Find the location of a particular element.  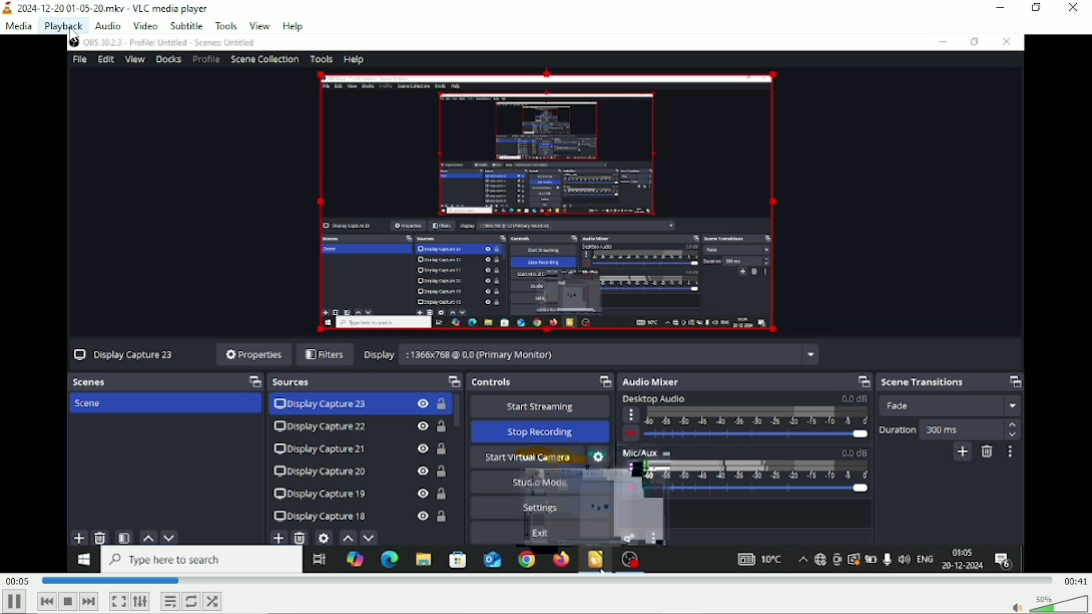

Pause is located at coordinates (16, 602).